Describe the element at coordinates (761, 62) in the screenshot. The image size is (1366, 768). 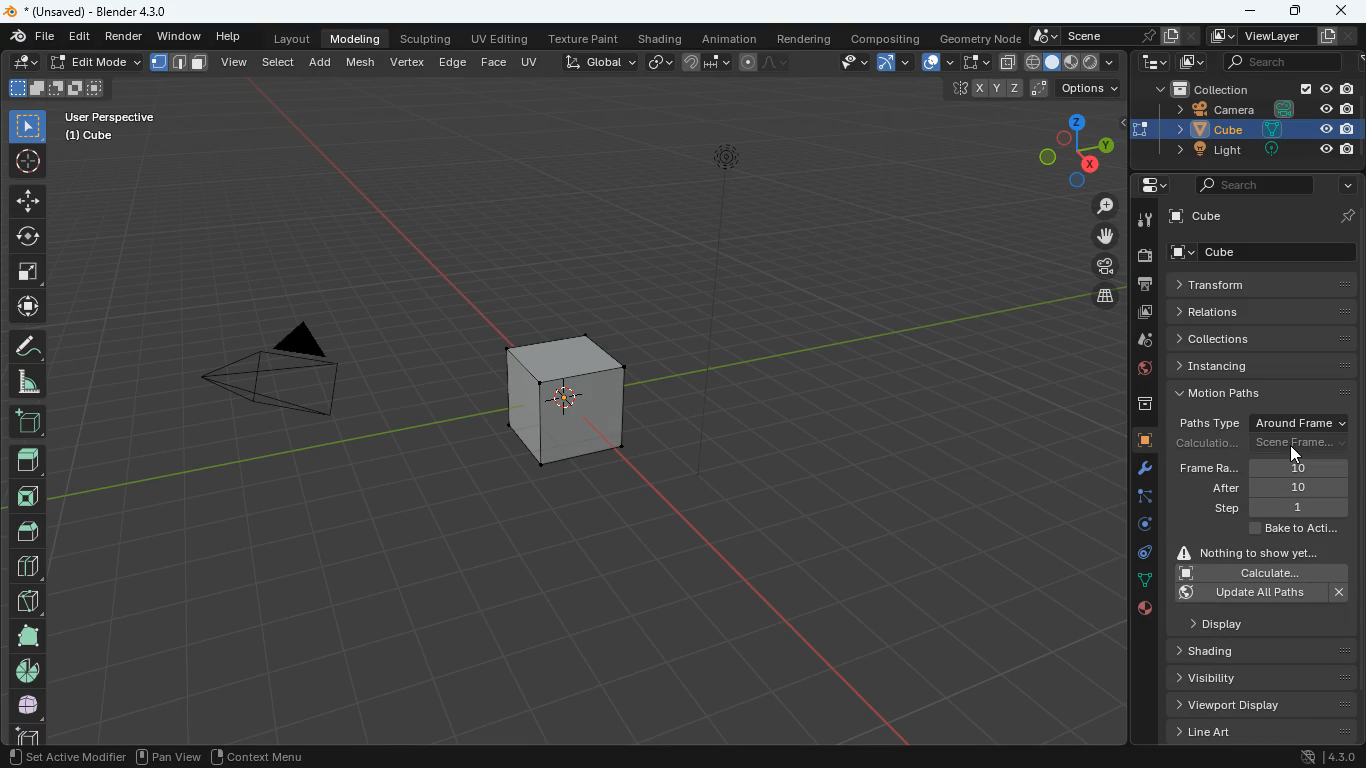
I see `draw` at that location.